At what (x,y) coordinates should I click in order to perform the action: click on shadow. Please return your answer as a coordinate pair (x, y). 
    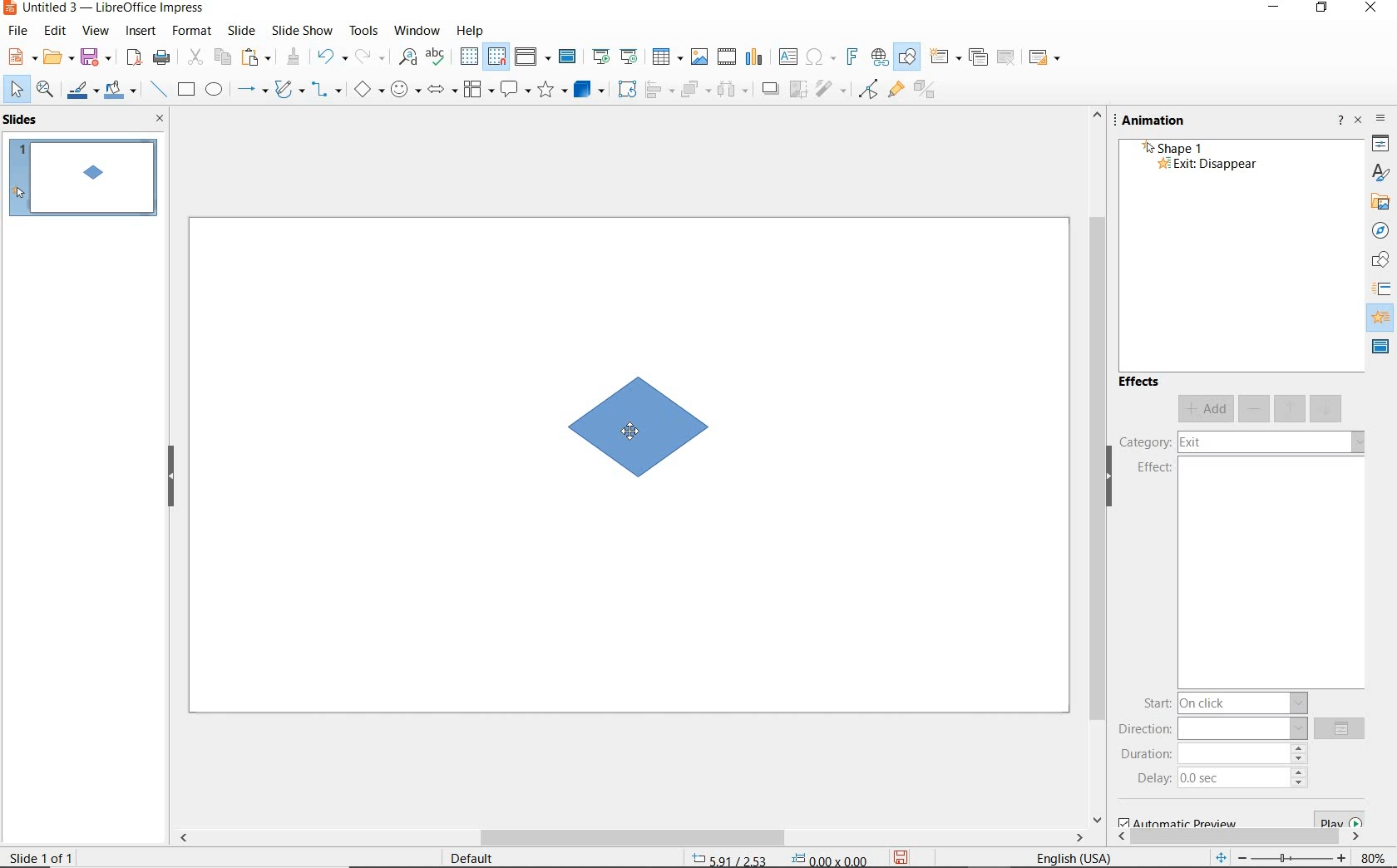
    Looking at the image, I should click on (770, 89).